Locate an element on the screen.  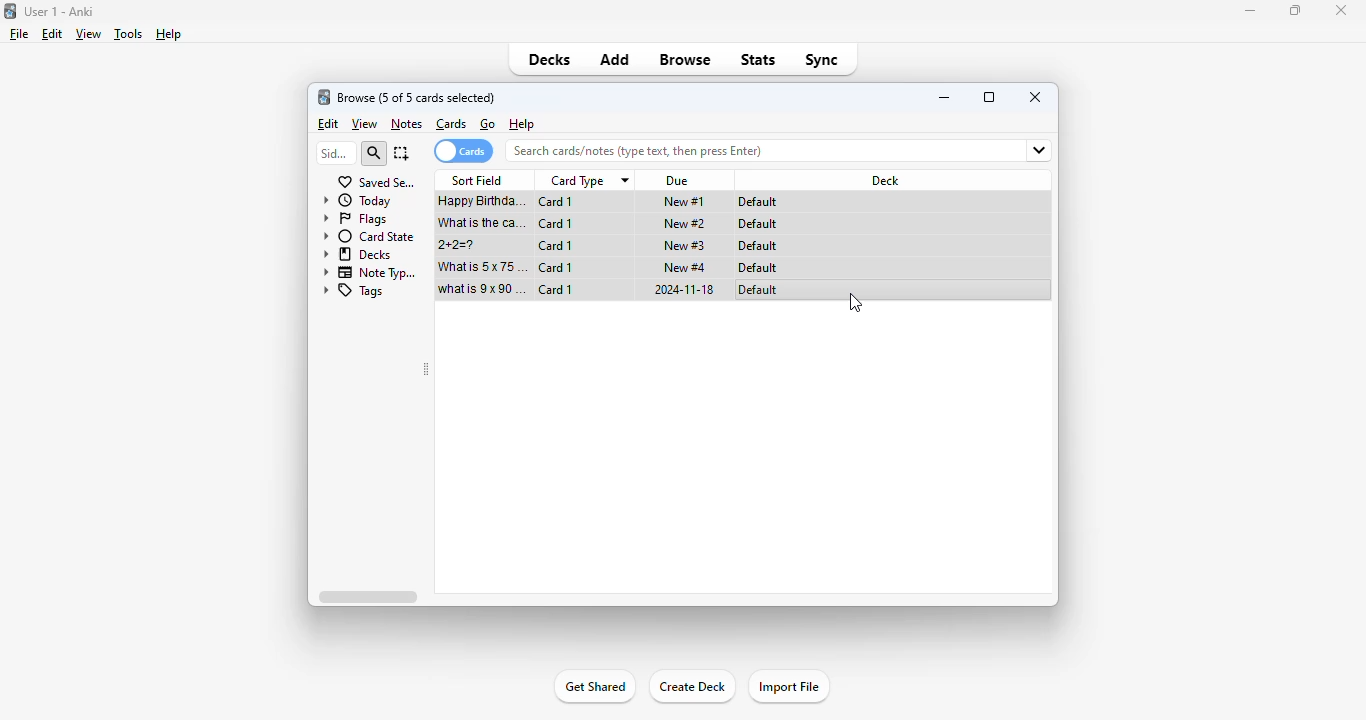
card 1 is located at coordinates (556, 224).